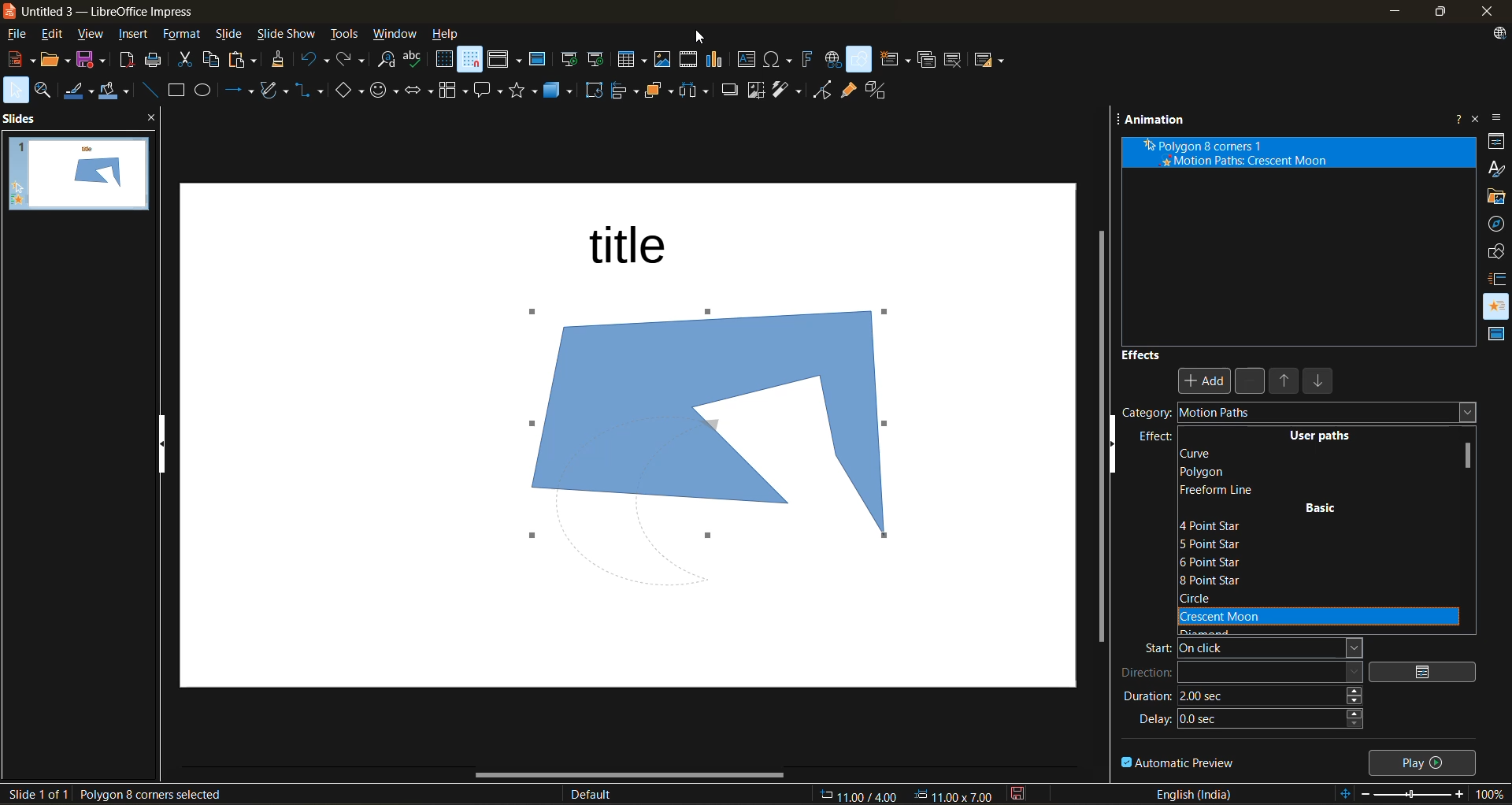 This screenshot has height=805, width=1512. What do you see at coordinates (1495, 276) in the screenshot?
I see `slide transition` at bounding box center [1495, 276].